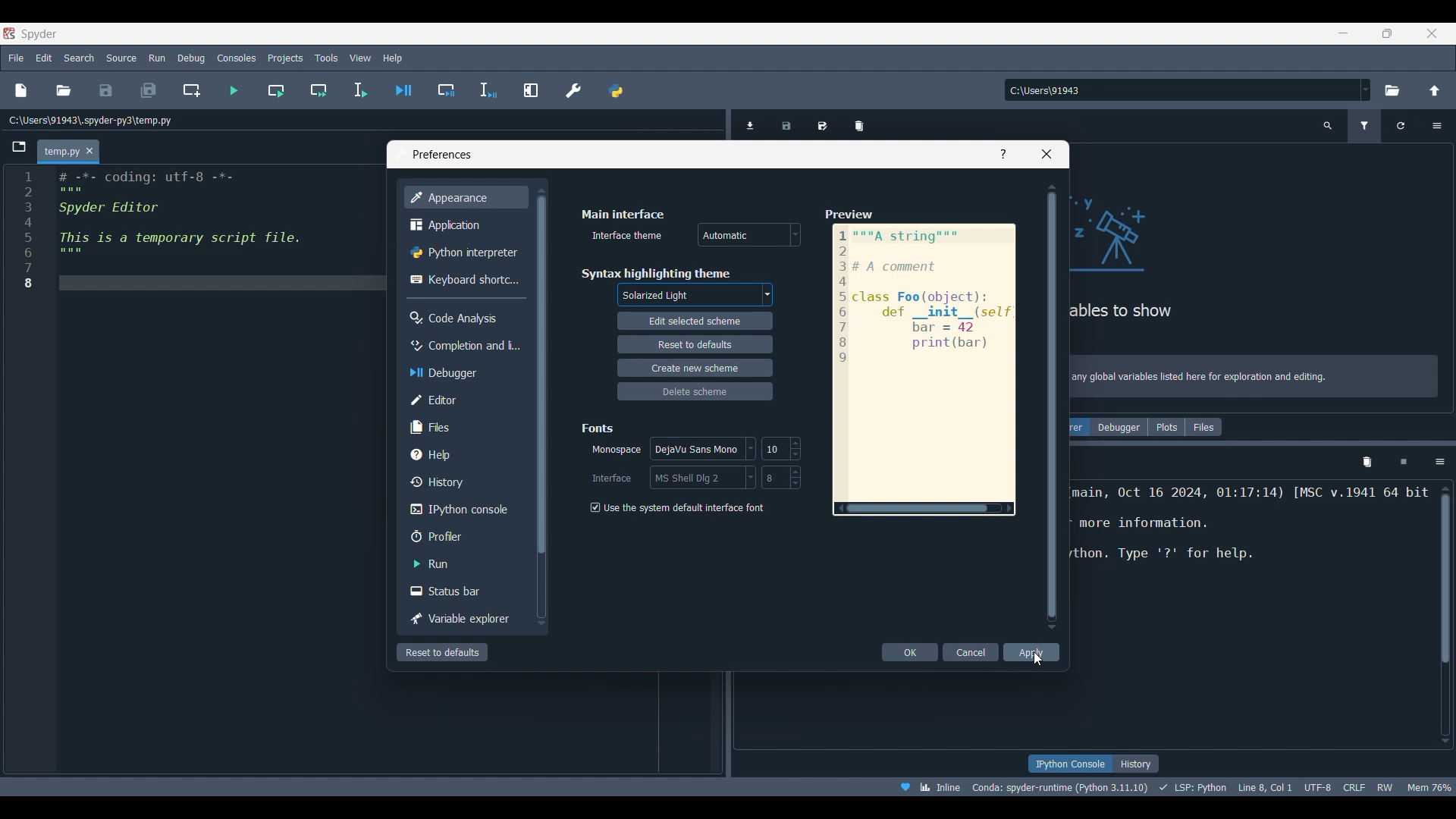 Image resolution: width=1456 pixels, height=819 pixels. I want to click on New file, so click(21, 90).